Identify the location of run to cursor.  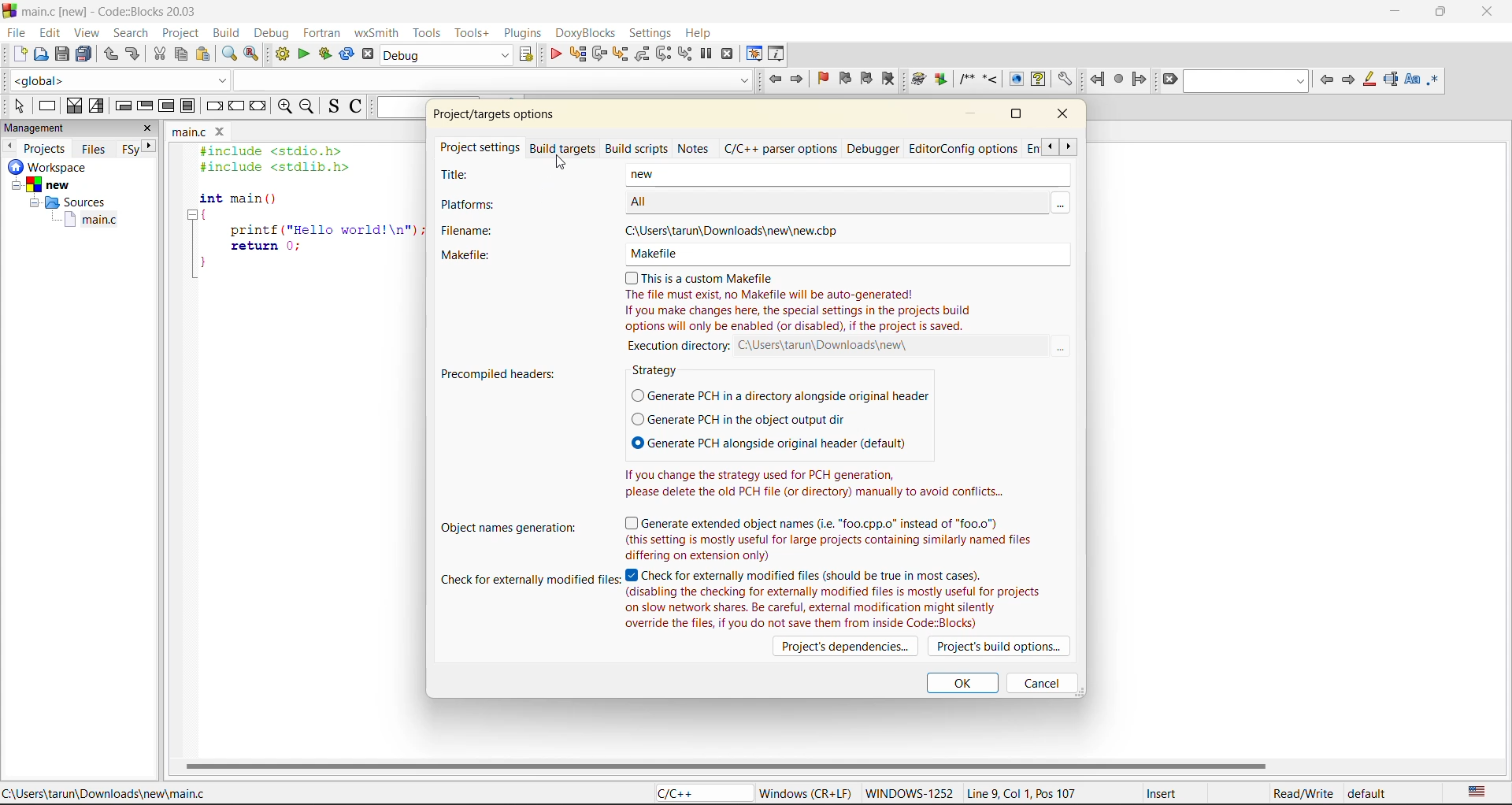
(577, 53).